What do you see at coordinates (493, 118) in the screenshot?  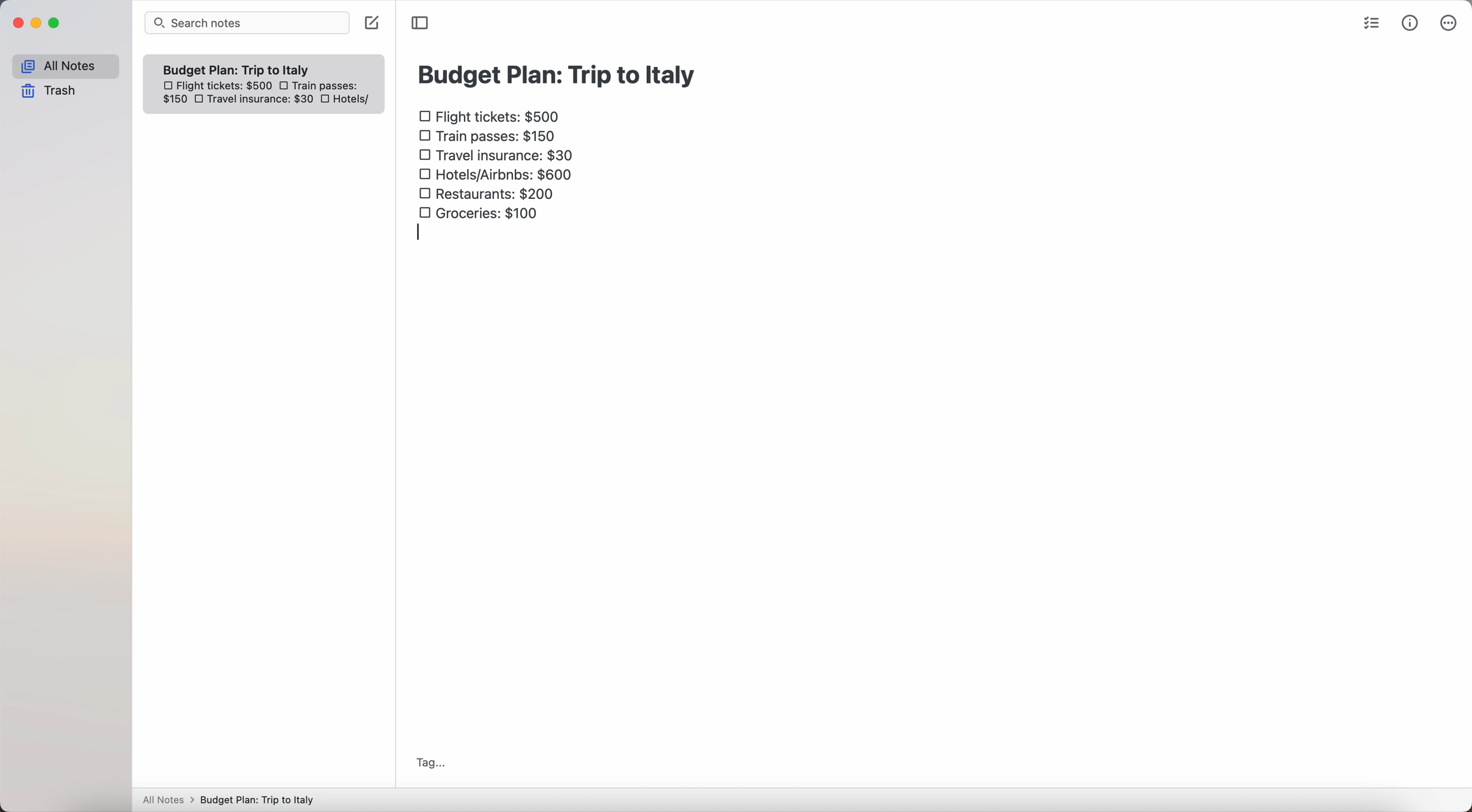 I see `flight tickets: $500 checkbox` at bounding box center [493, 118].